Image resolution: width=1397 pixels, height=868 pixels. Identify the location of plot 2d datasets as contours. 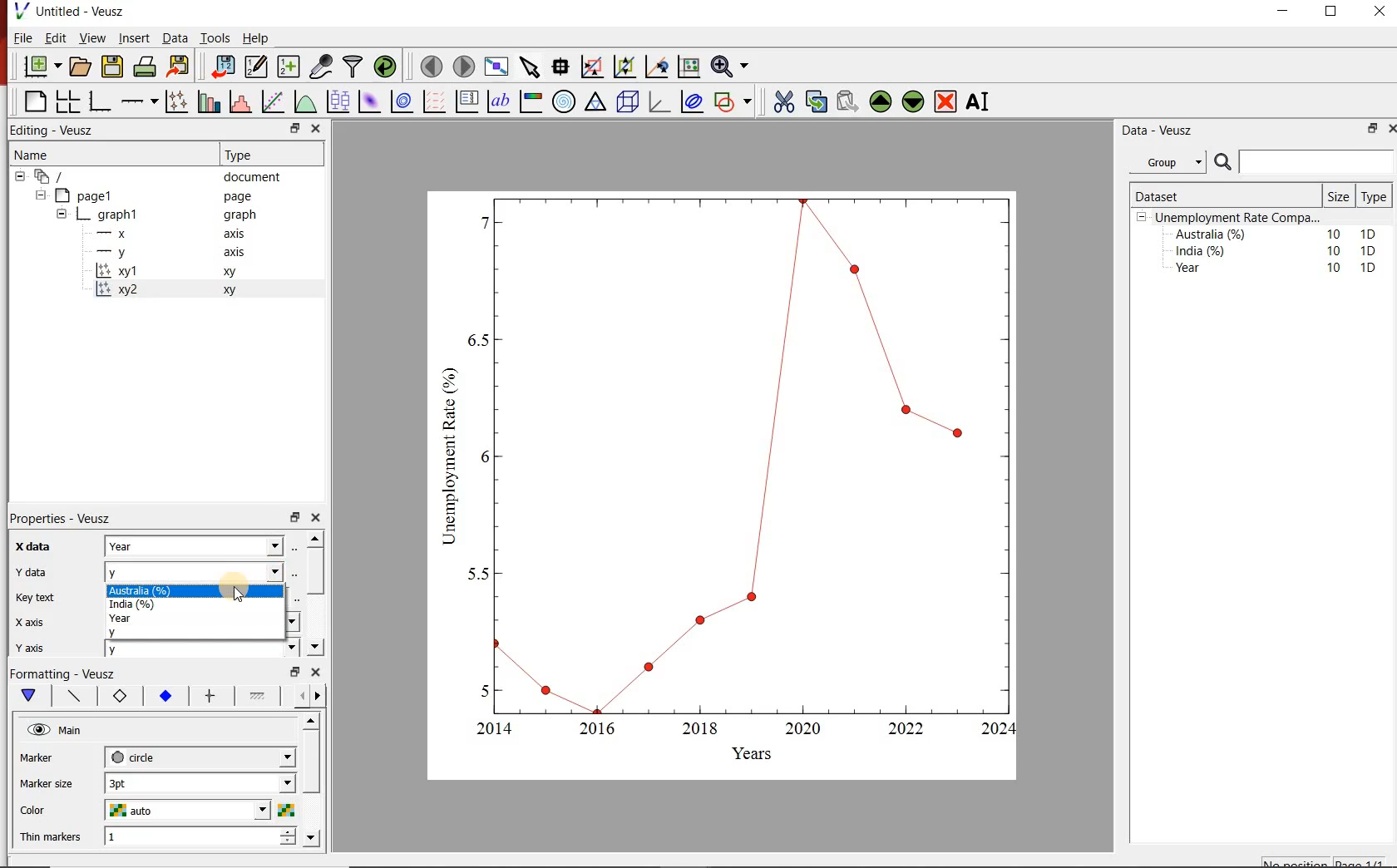
(401, 101).